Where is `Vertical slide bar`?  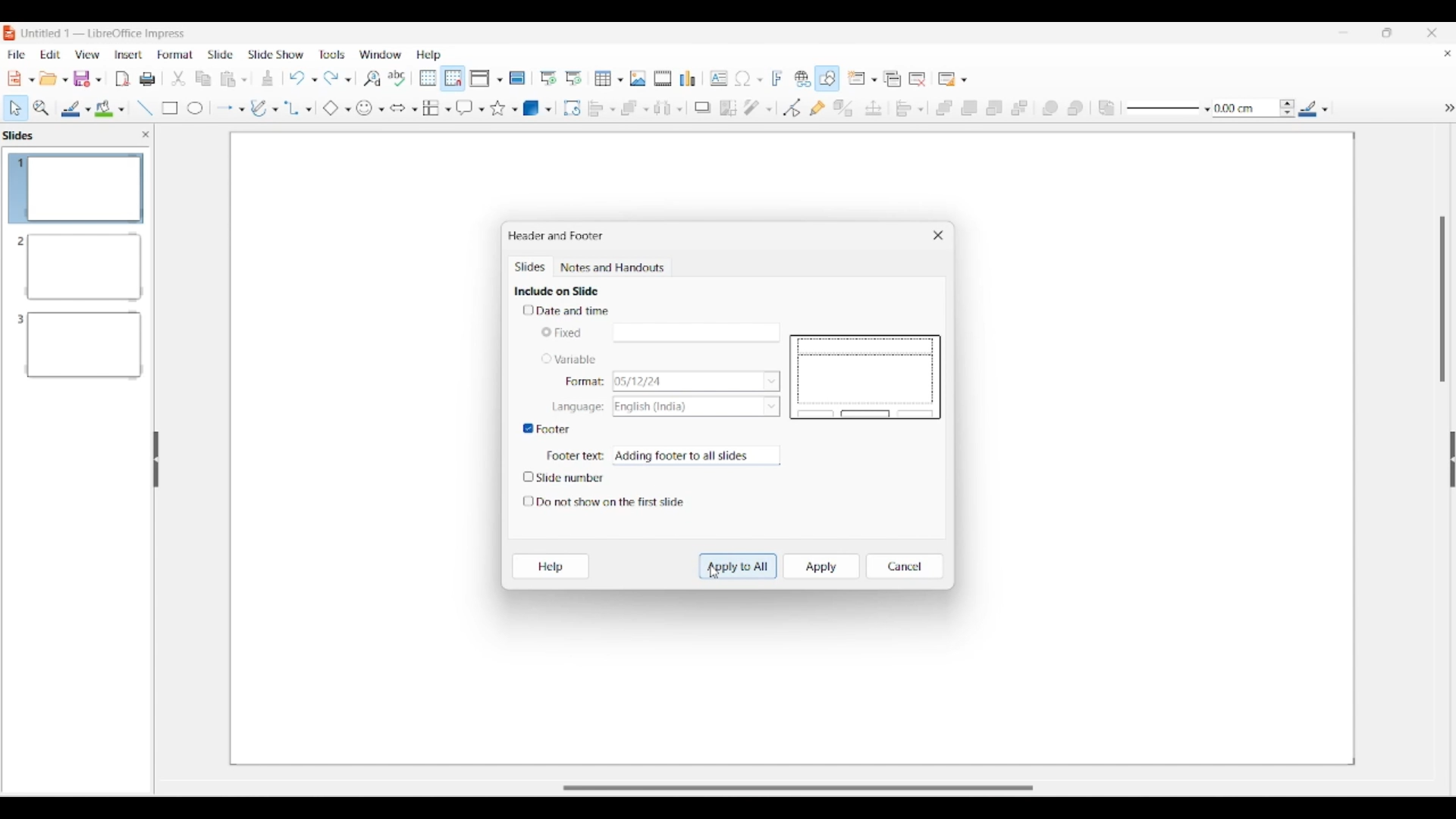
Vertical slide bar is located at coordinates (1442, 300).